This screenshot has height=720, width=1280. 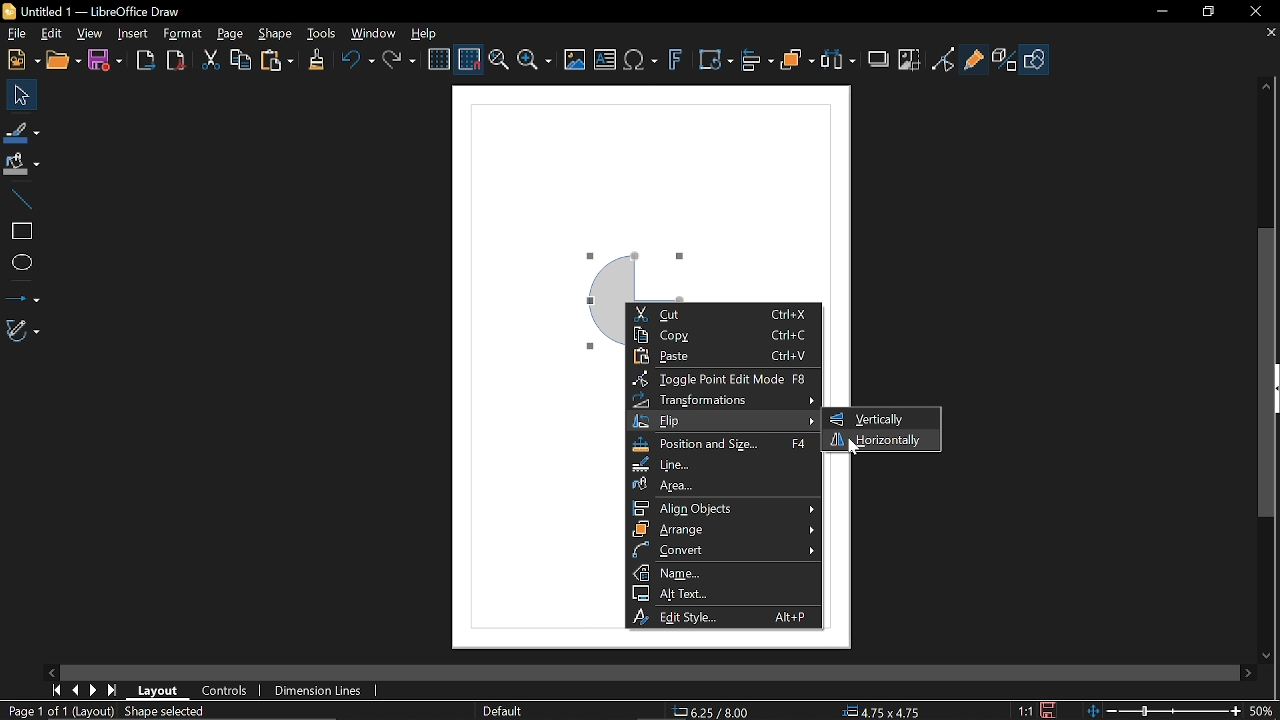 What do you see at coordinates (241, 61) in the screenshot?
I see `Copy` at bounding box center [241, 61].